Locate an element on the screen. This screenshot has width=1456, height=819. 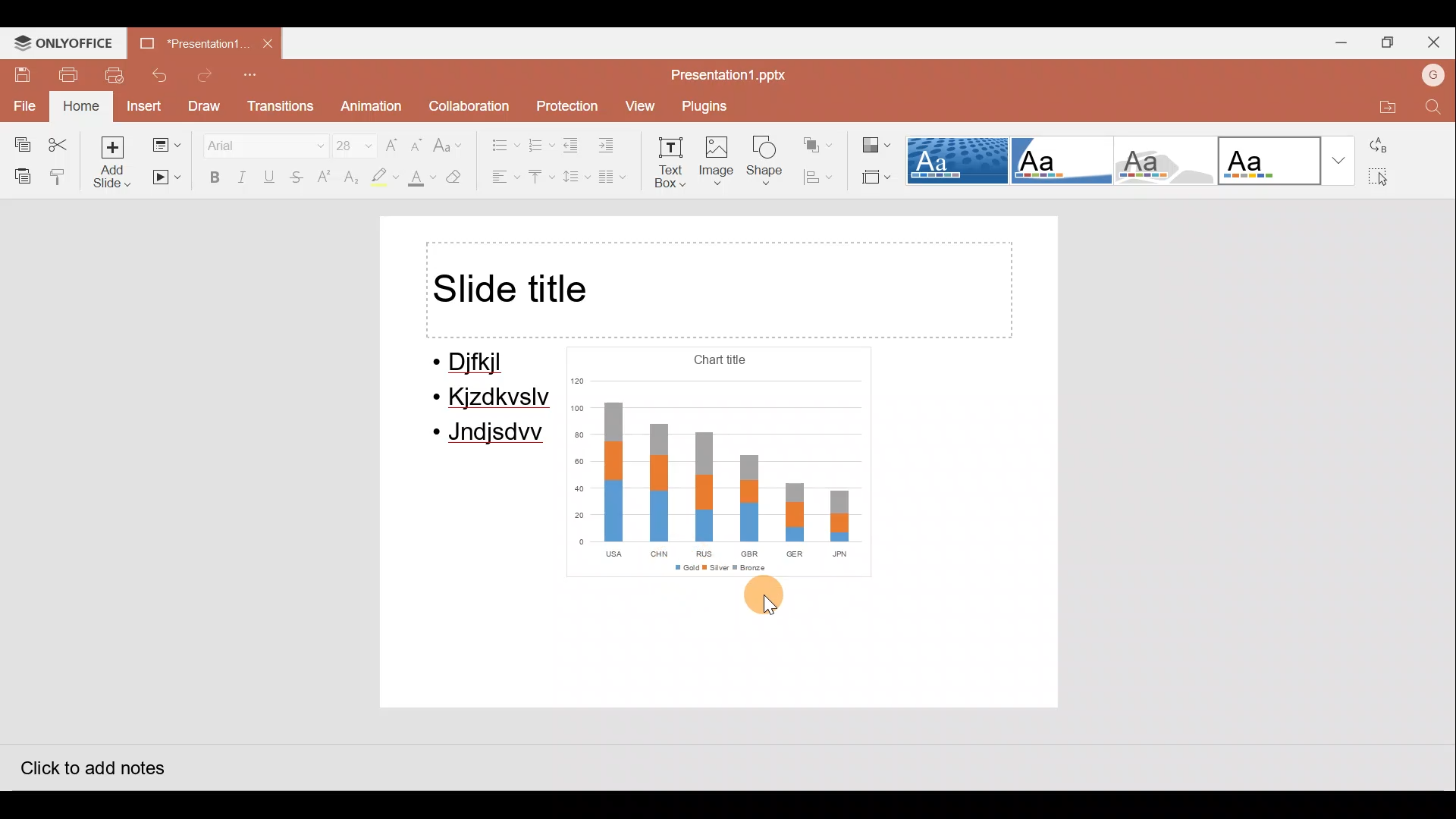
Change slide layout is located at coordinates (165, 142).